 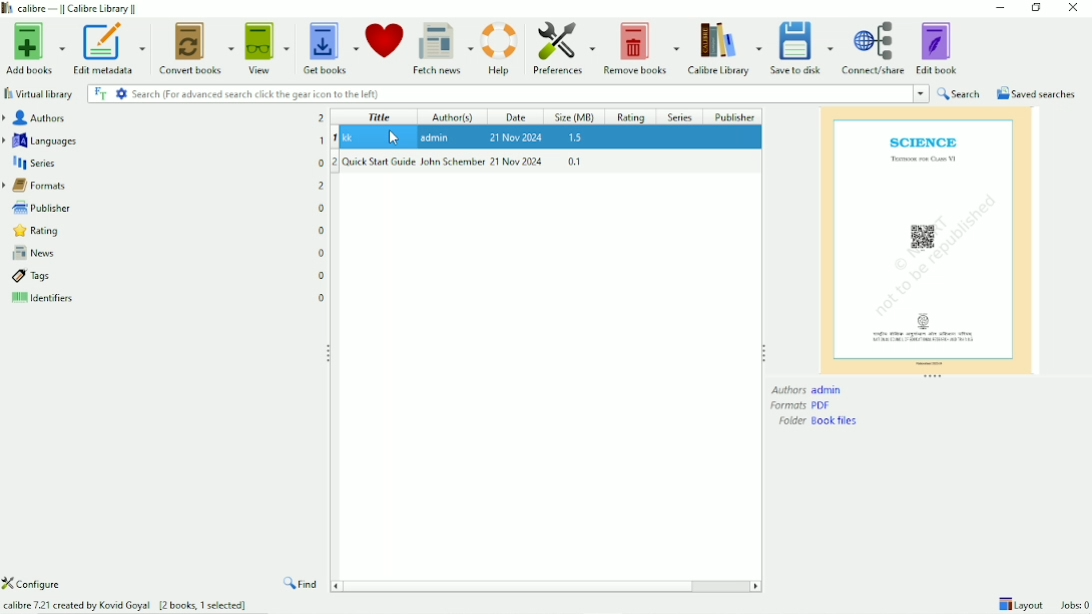 What do you see at coordinates (996, 8) in the screenshot?
I see `Minimize` at bounding box center [996, 8].